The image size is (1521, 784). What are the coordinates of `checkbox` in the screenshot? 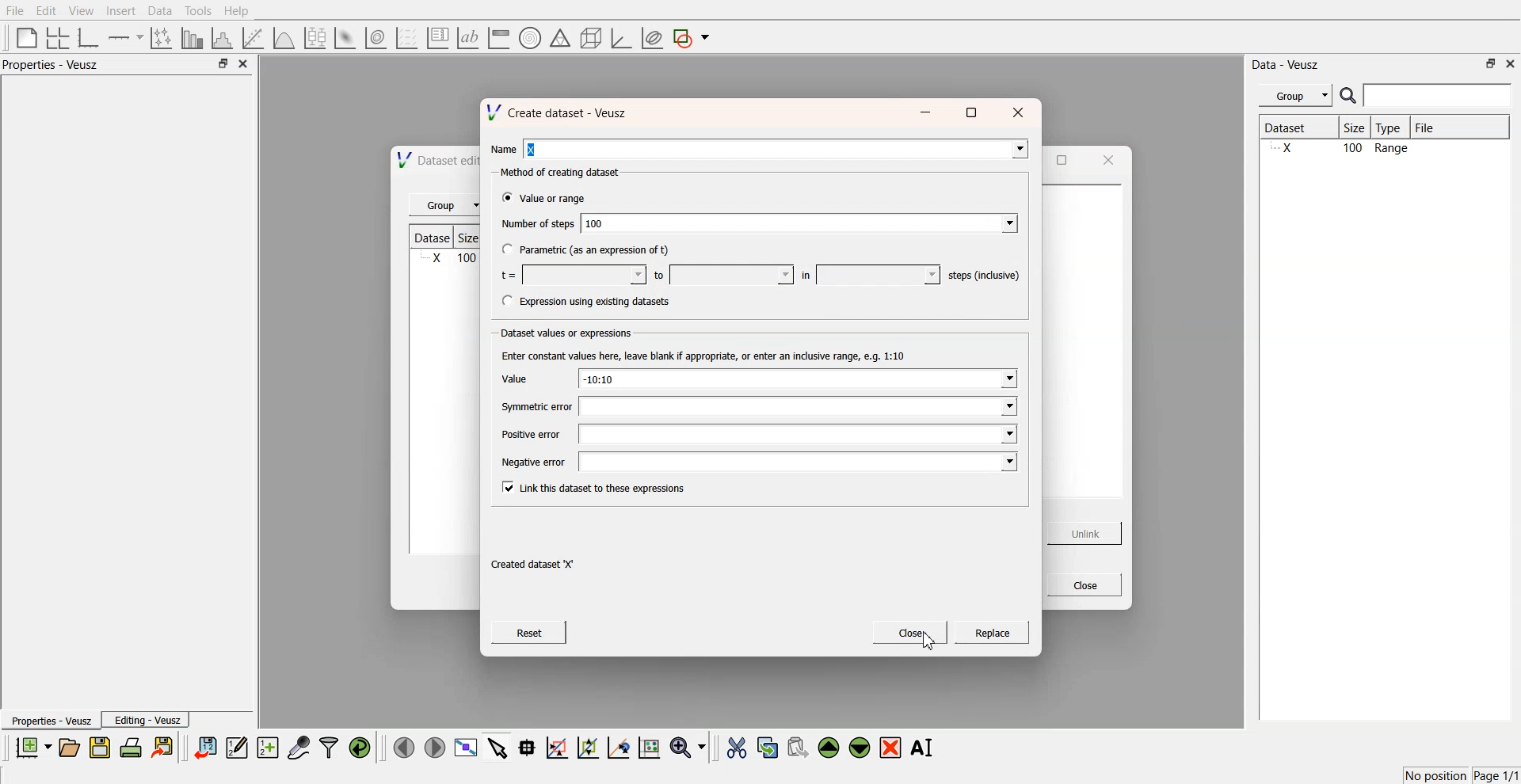 It's located at (505, 200).